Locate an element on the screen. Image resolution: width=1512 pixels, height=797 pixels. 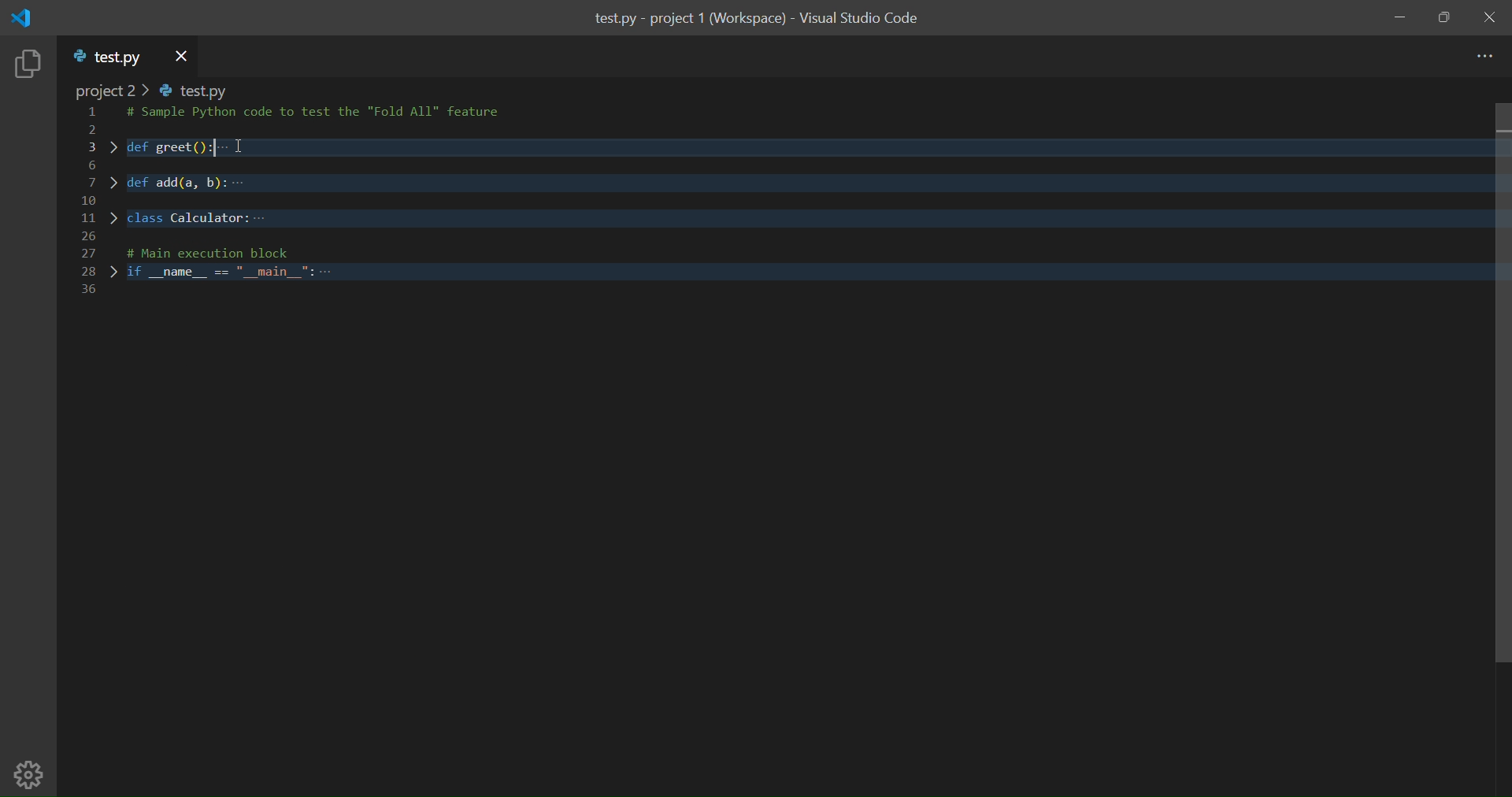
file name is located at coordinates (109, 57).